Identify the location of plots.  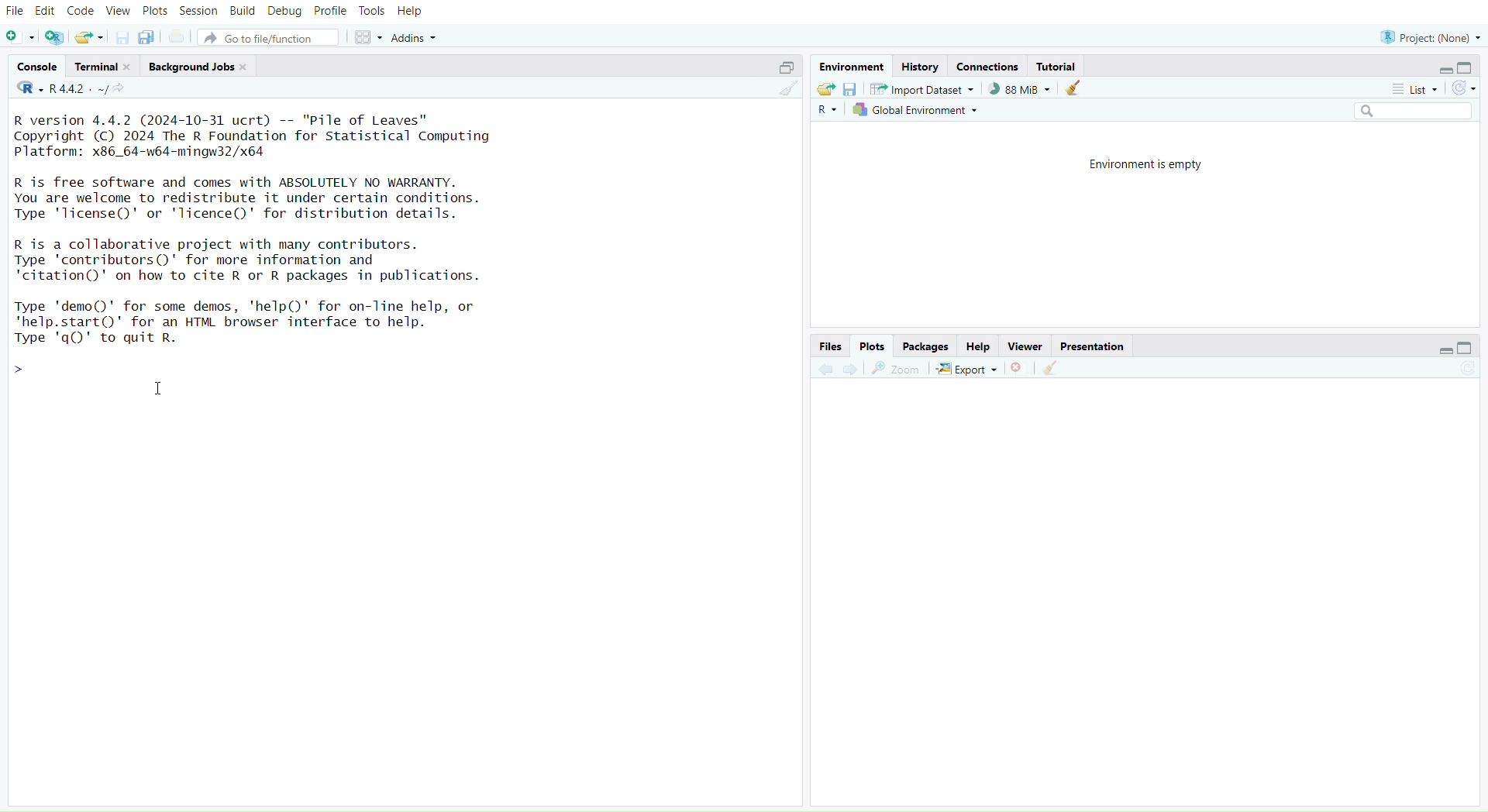
(155, 13).